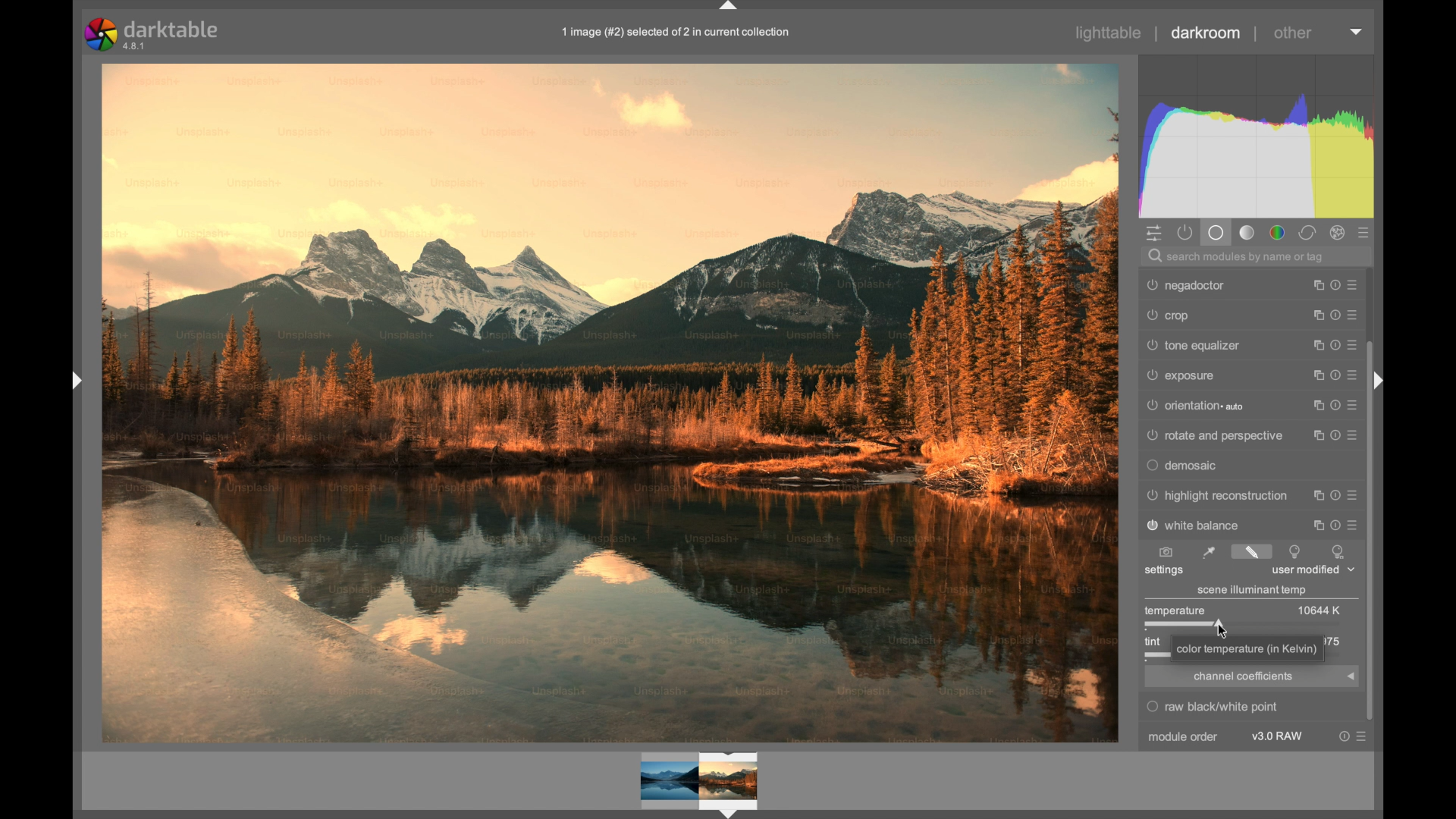  What do you see at coordinates (1194, 345) in the screenshot?
I see `tone equalizer` at bounding box center [1194, 345].